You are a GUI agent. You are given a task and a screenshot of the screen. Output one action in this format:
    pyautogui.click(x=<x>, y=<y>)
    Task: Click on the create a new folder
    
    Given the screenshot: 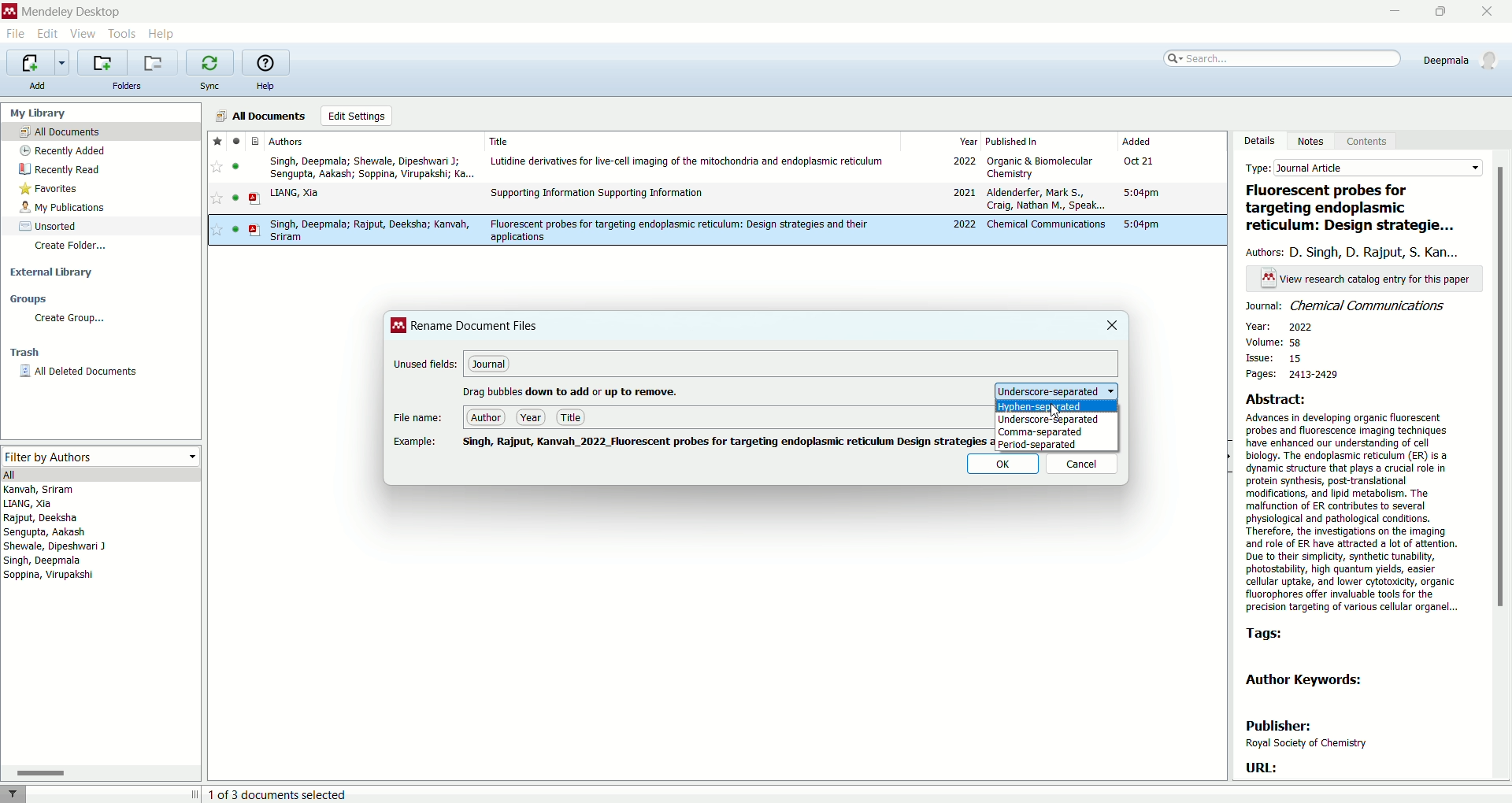 What is the action you would take?
    pyautogui.click(x=104, y=62)
    